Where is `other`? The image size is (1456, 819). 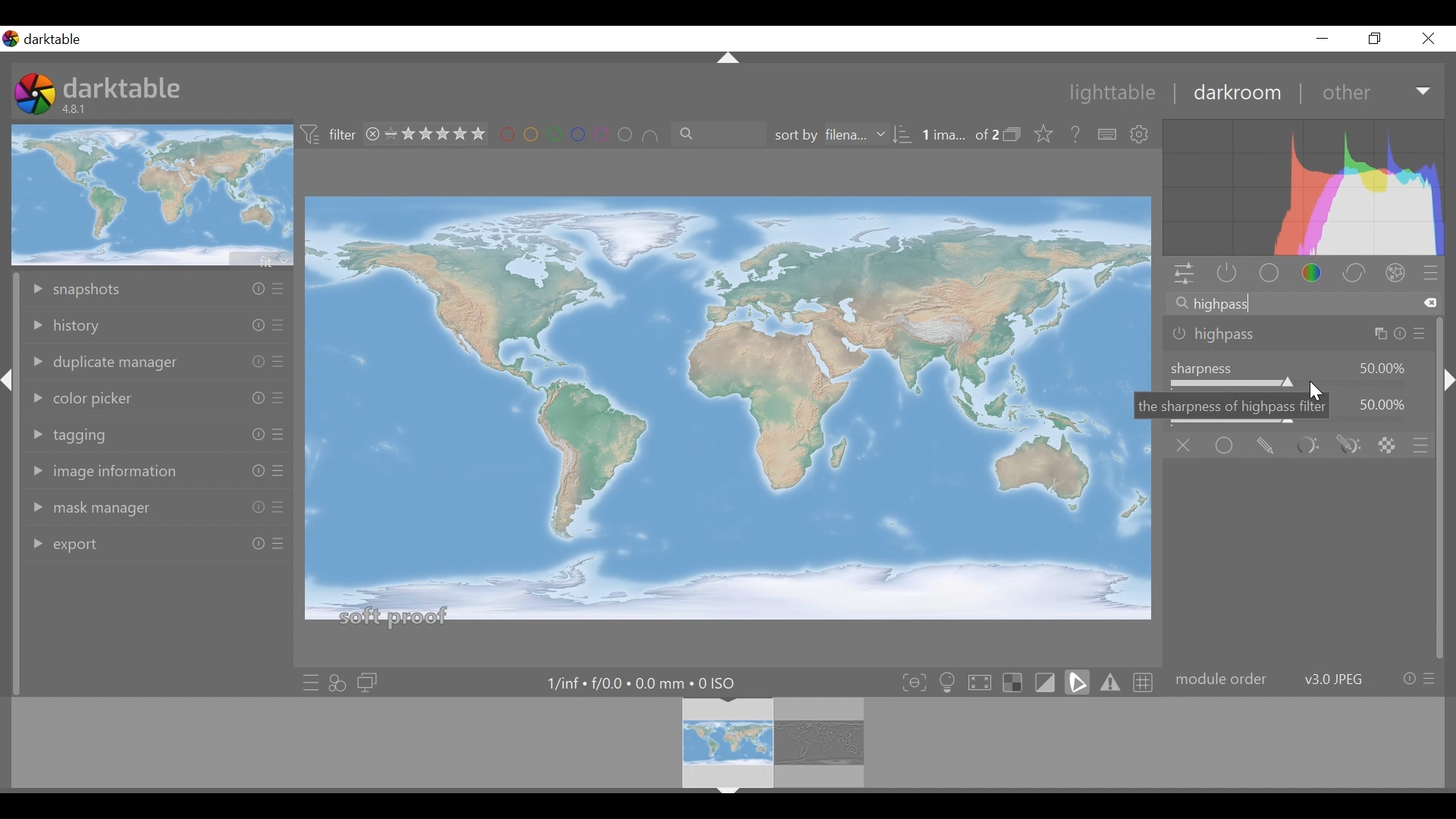
other is located at coordinates (1345, 93).